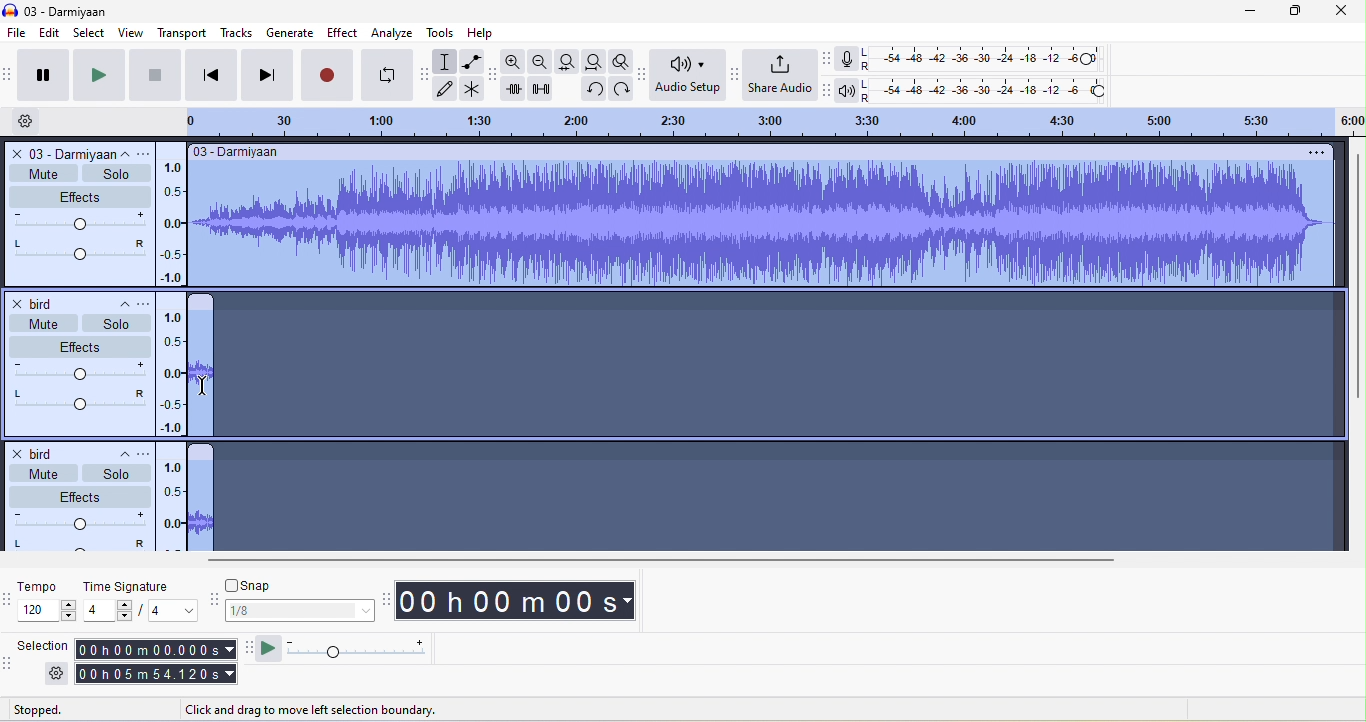 The height and width of the screenshot is (722, 1366). What do you see at coordinates (170, 372) in the screenshot?
I see `linear` at bounding box center [170, 372].